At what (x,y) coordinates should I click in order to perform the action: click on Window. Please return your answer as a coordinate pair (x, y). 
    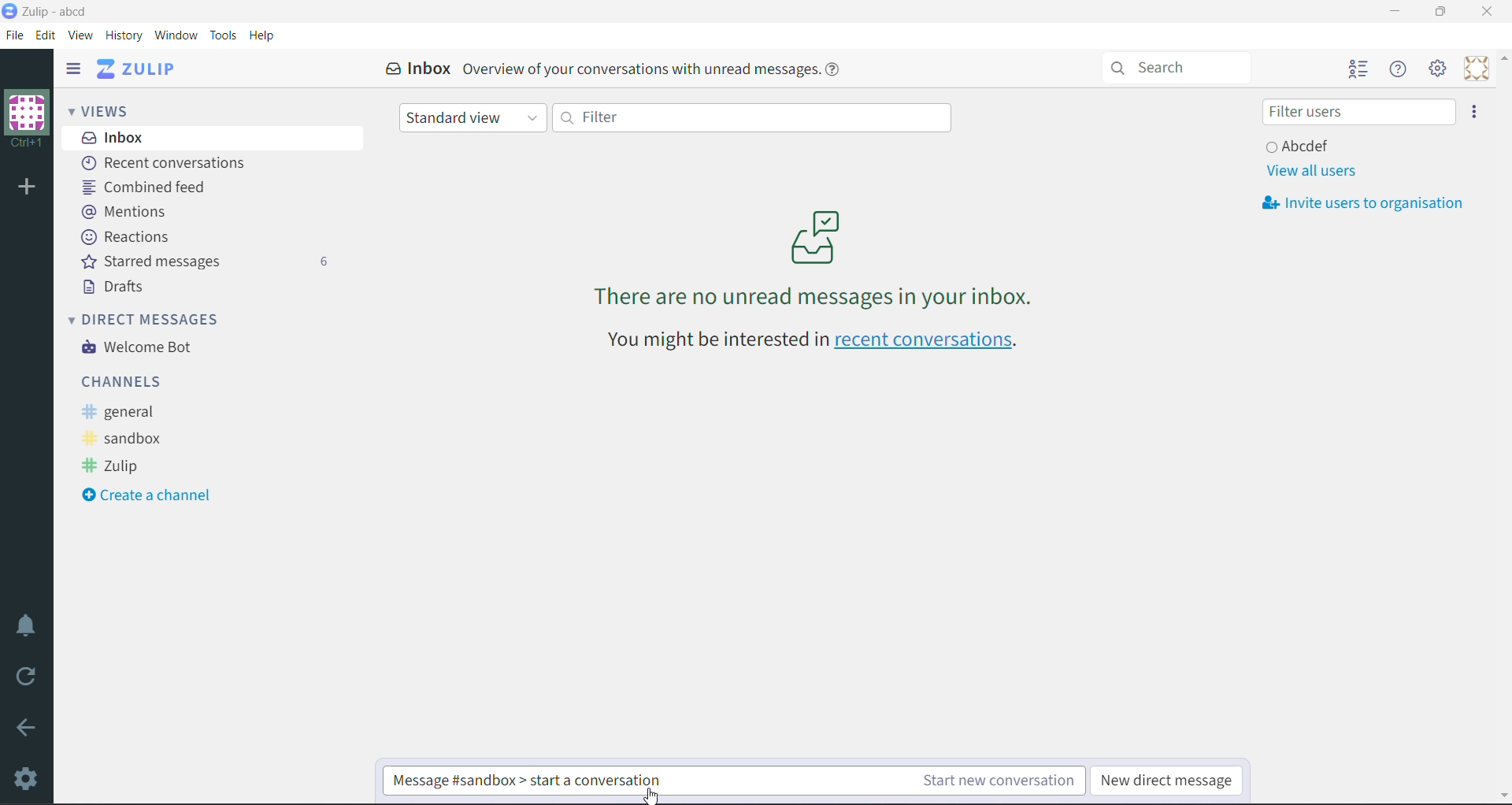
    Looking at the image, I should click on (176, 35).